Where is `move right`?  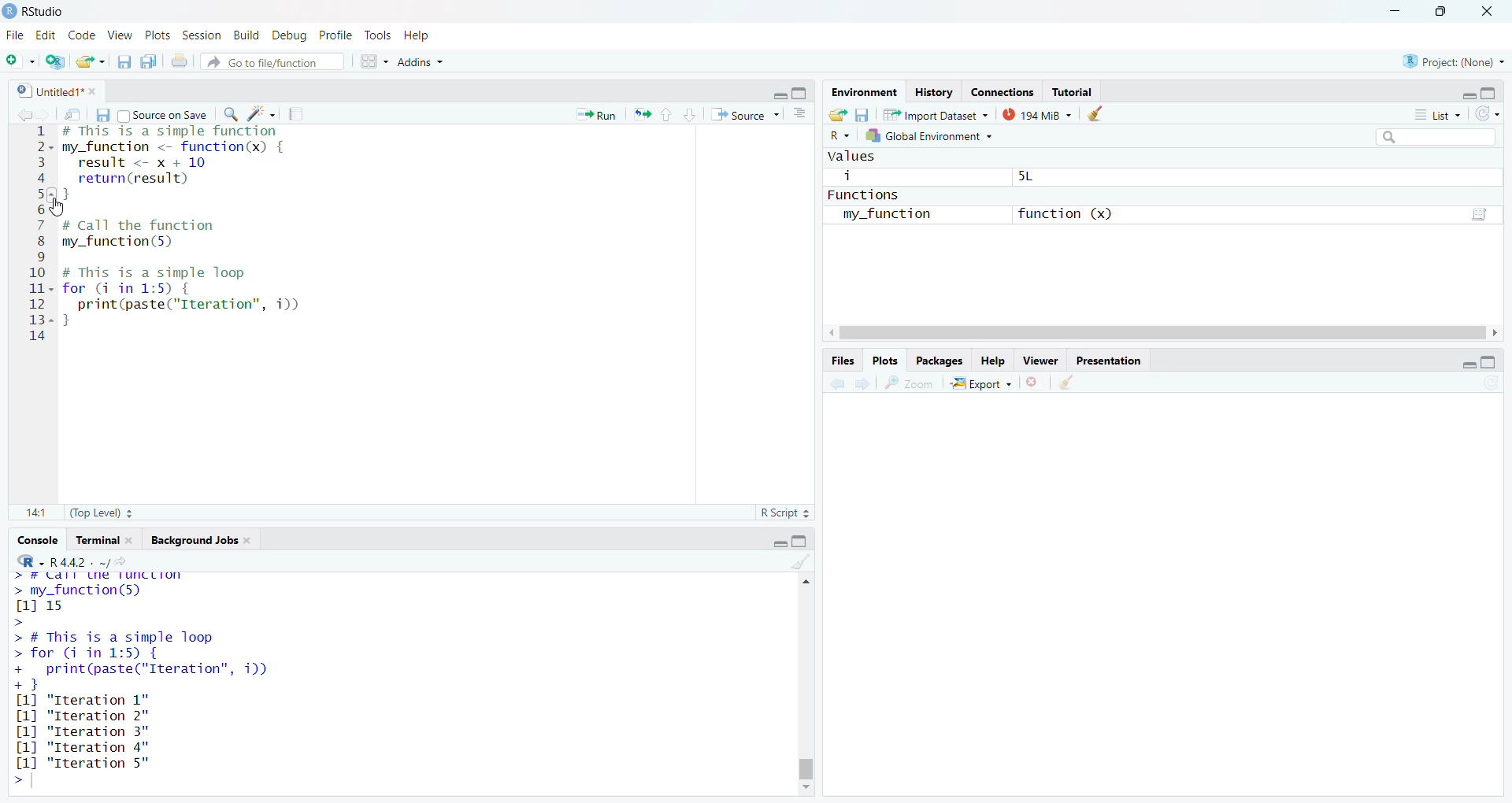
move right is located at coordinates (1501, 333).